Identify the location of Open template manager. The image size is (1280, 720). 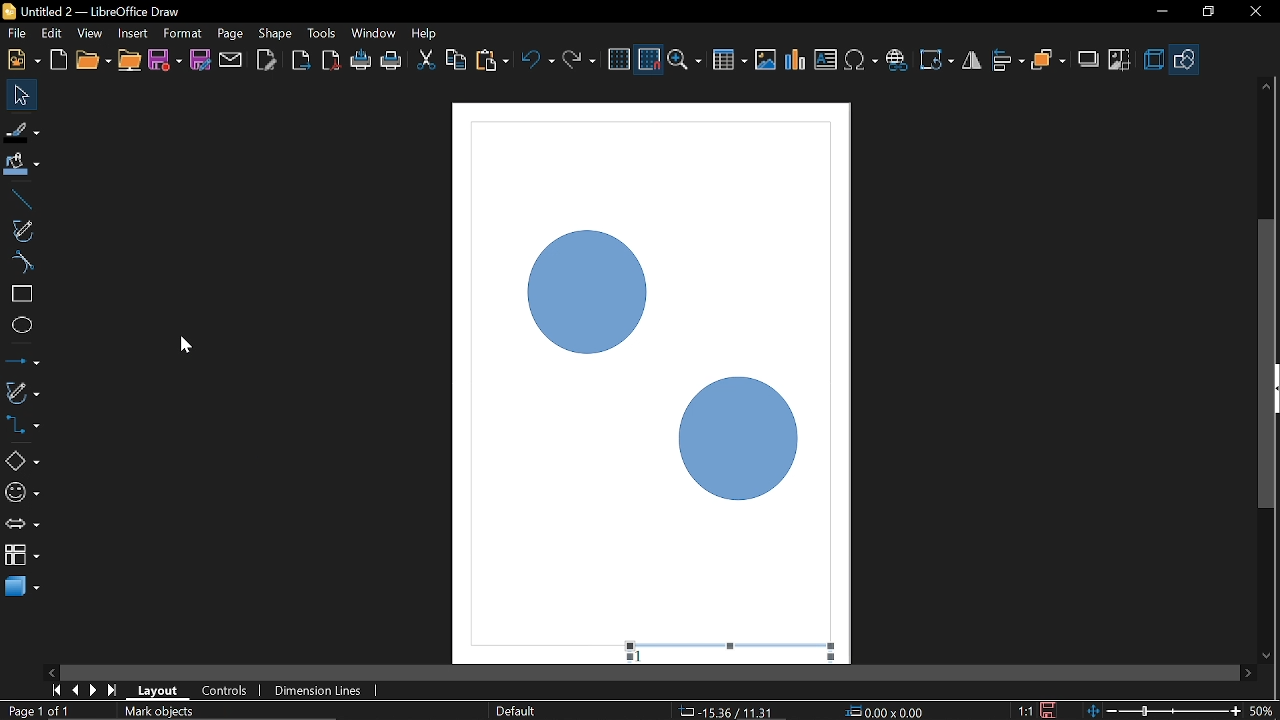
(58, 60).